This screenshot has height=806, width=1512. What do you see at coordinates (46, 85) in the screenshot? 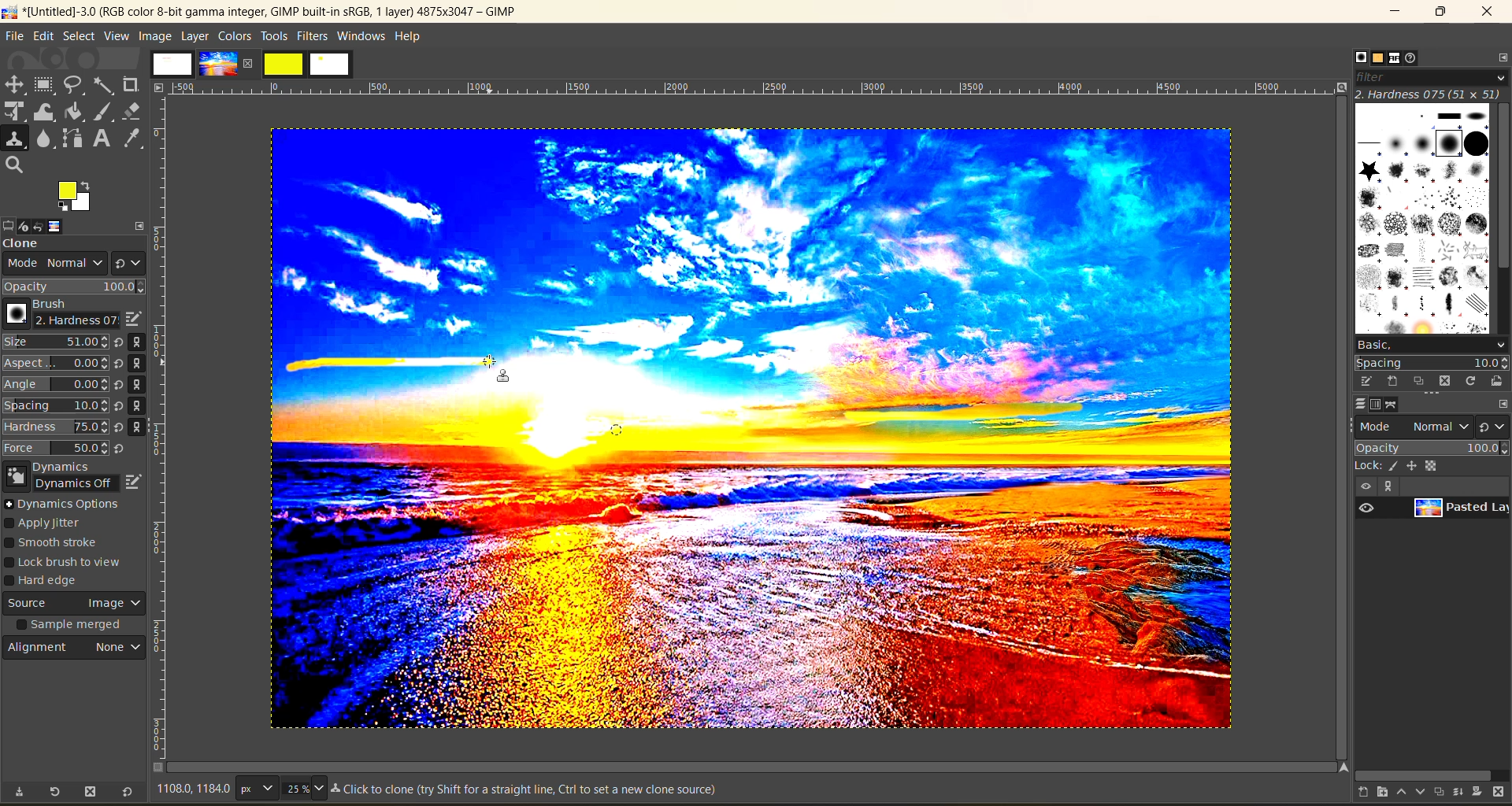
I see `rectangle select tool` at bounding box center [46, 85].